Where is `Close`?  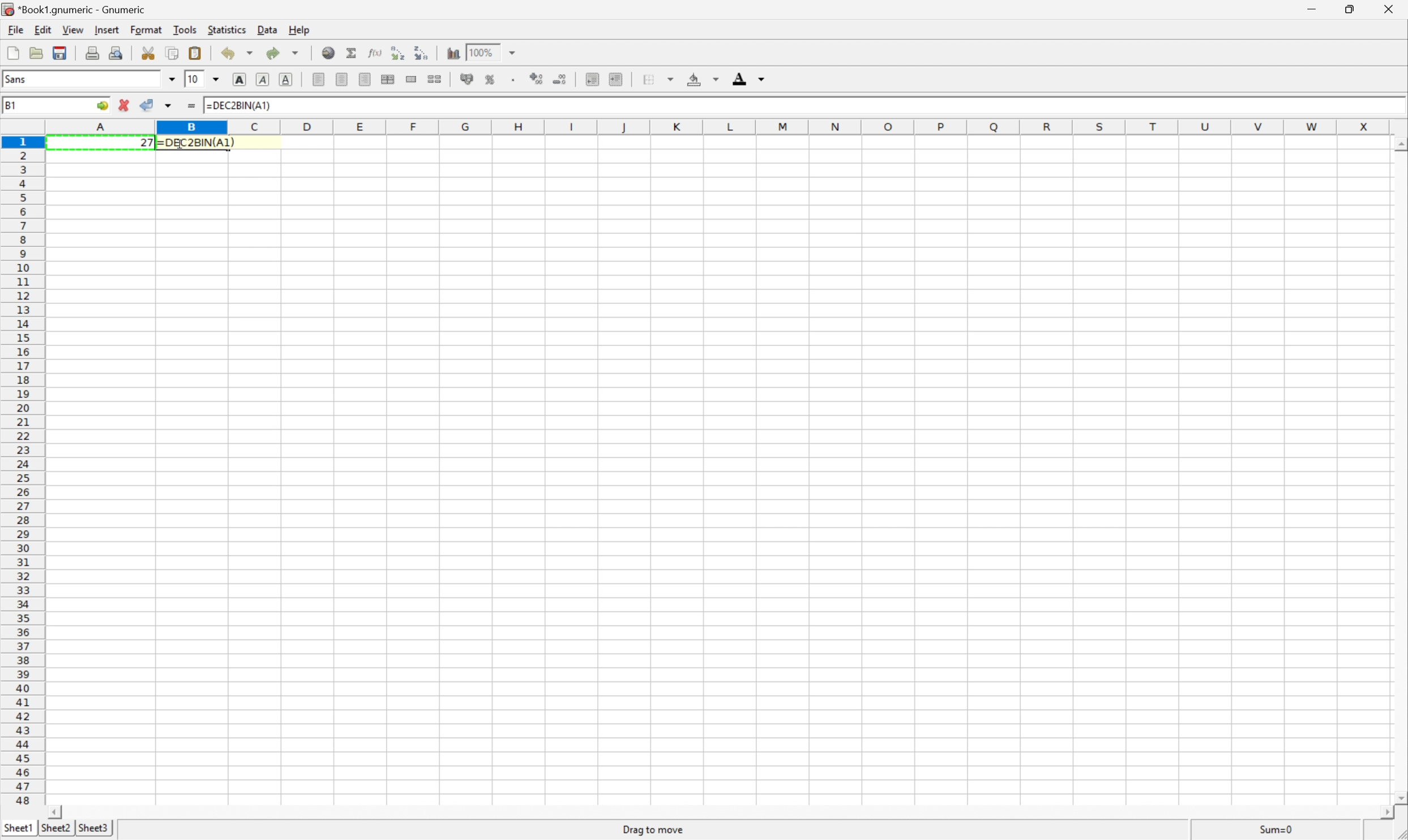
Close is located at coordinates (1388, 8).